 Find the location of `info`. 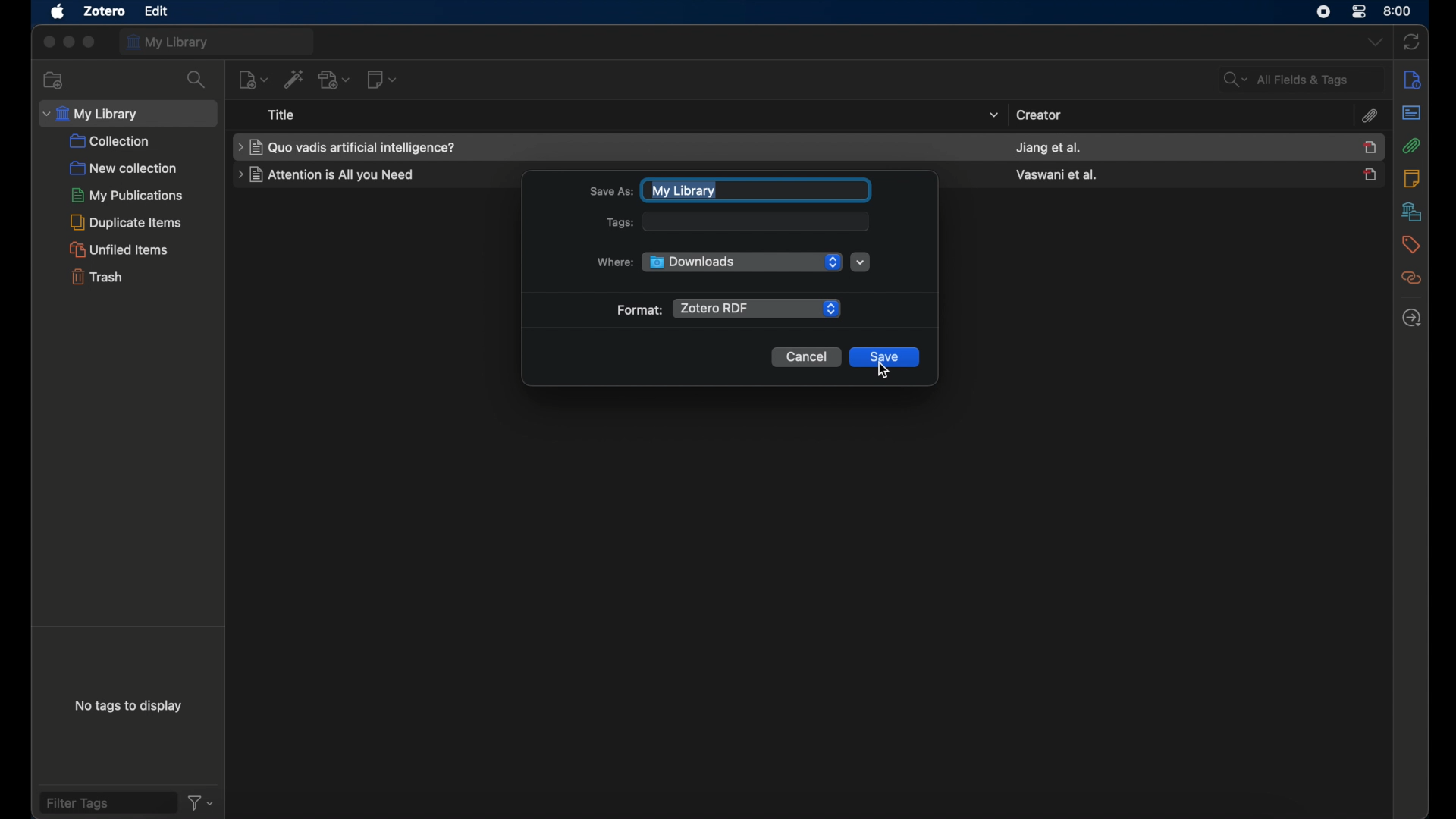

info is located at coordinates (1410, 80).